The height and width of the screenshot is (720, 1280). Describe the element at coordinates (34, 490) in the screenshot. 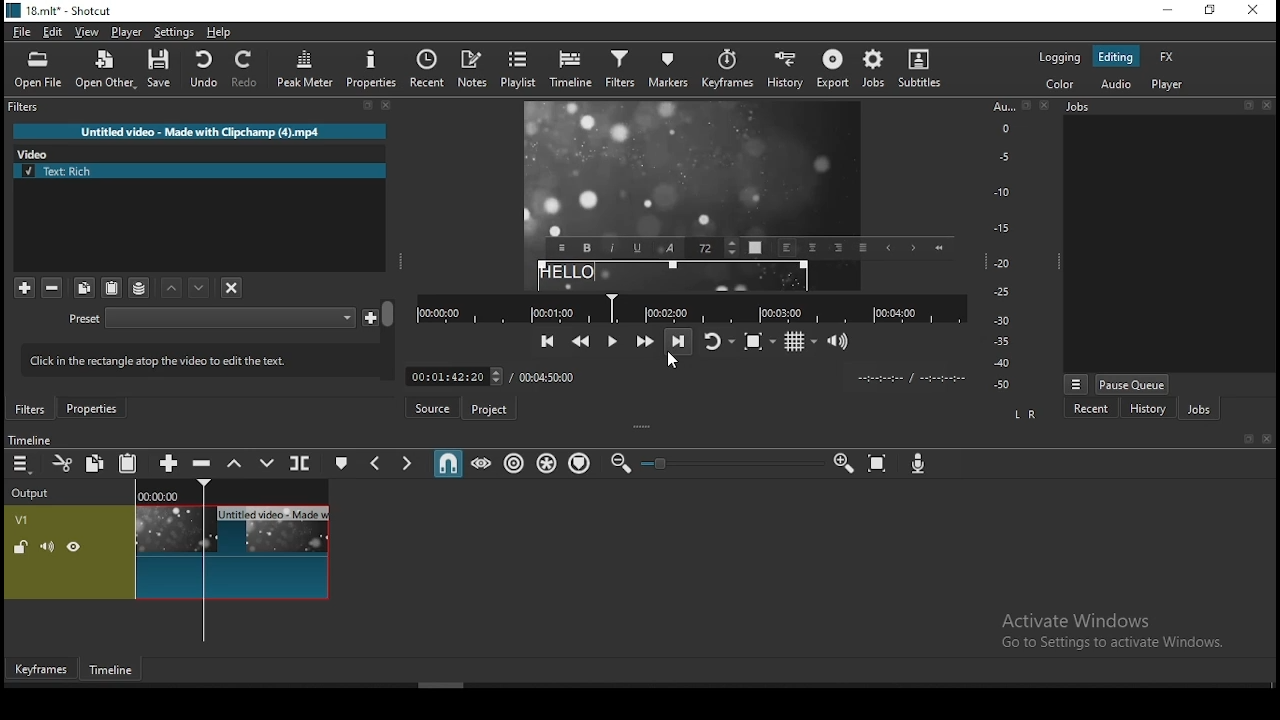

I see `Output` at that location.